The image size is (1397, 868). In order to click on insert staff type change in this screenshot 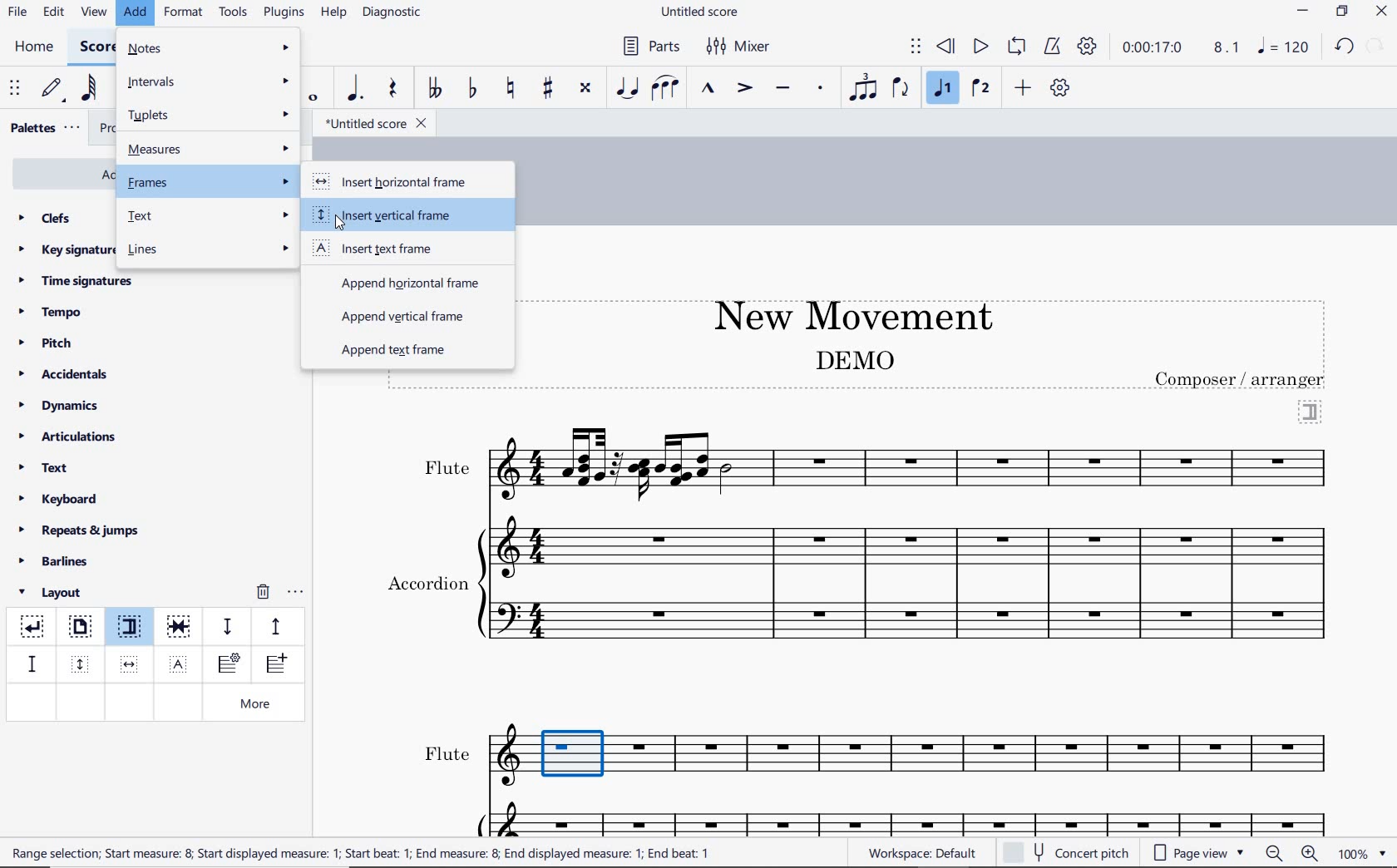, I will do `click(229, 664)`.